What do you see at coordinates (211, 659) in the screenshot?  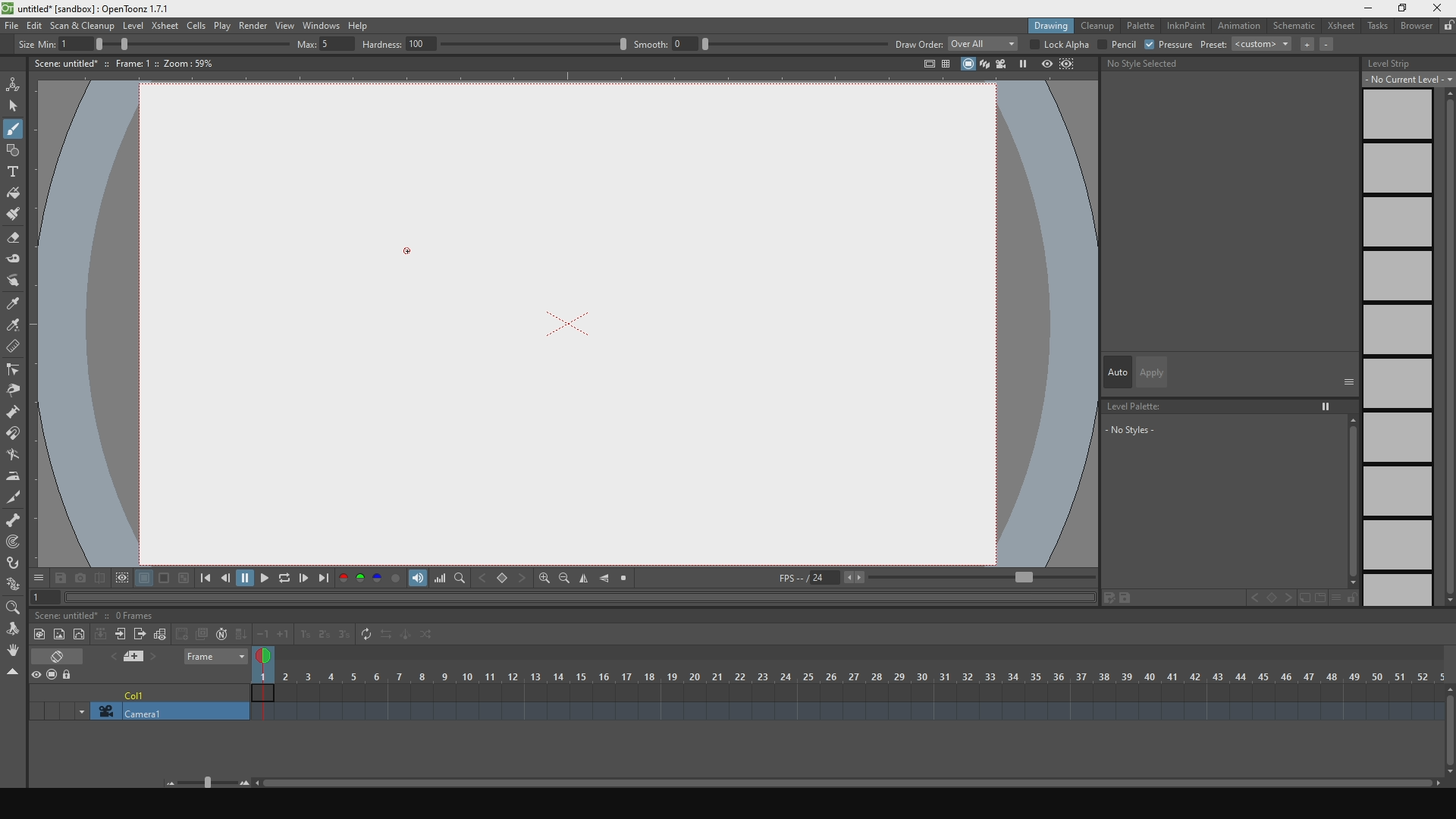 I see `frame` at bounding box center [211, 659].